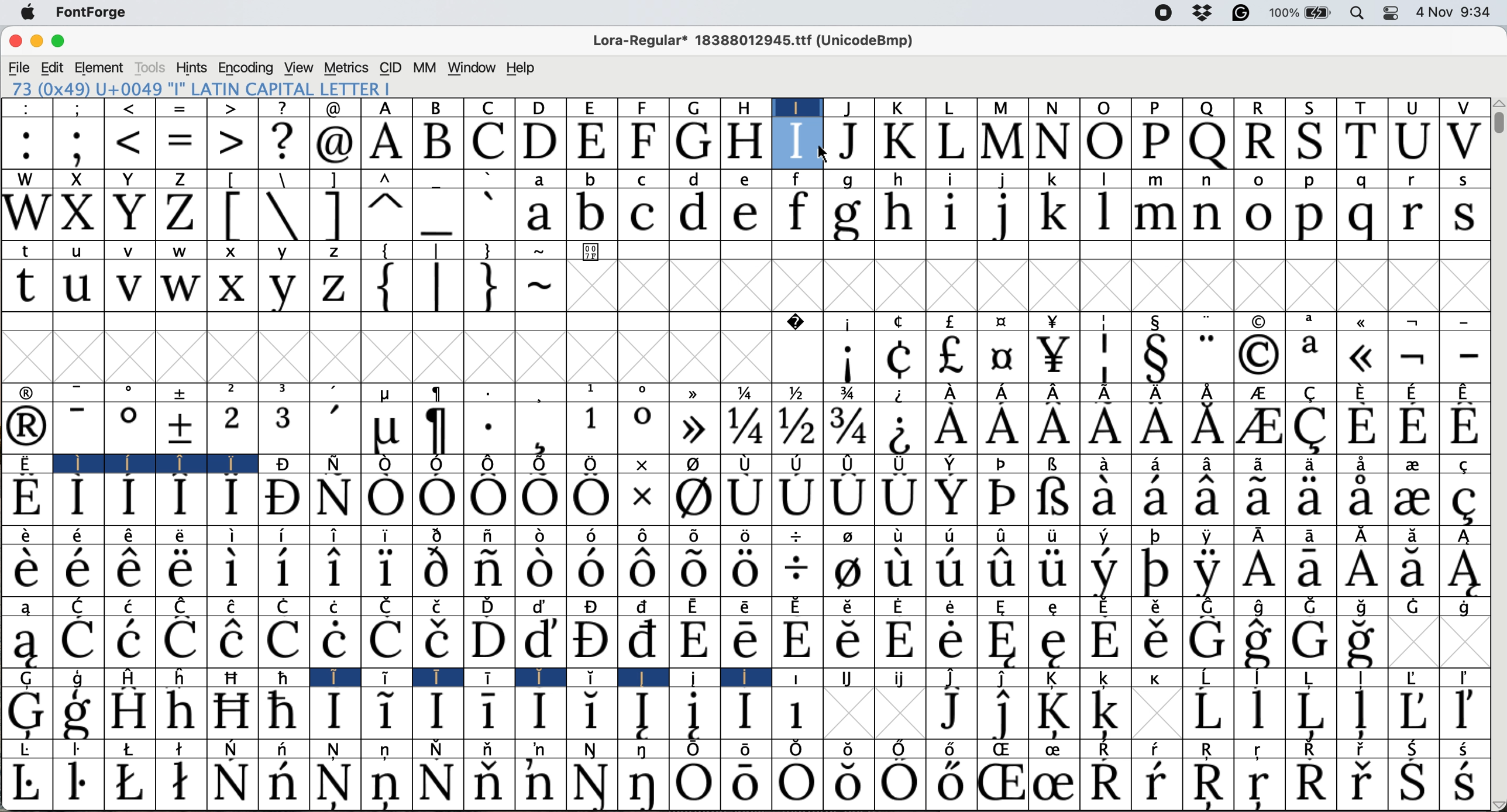 The image size is (1507, 812). Describe the element at coordinates (129, 711) in the screenshot. I see `Symbol` at that location.